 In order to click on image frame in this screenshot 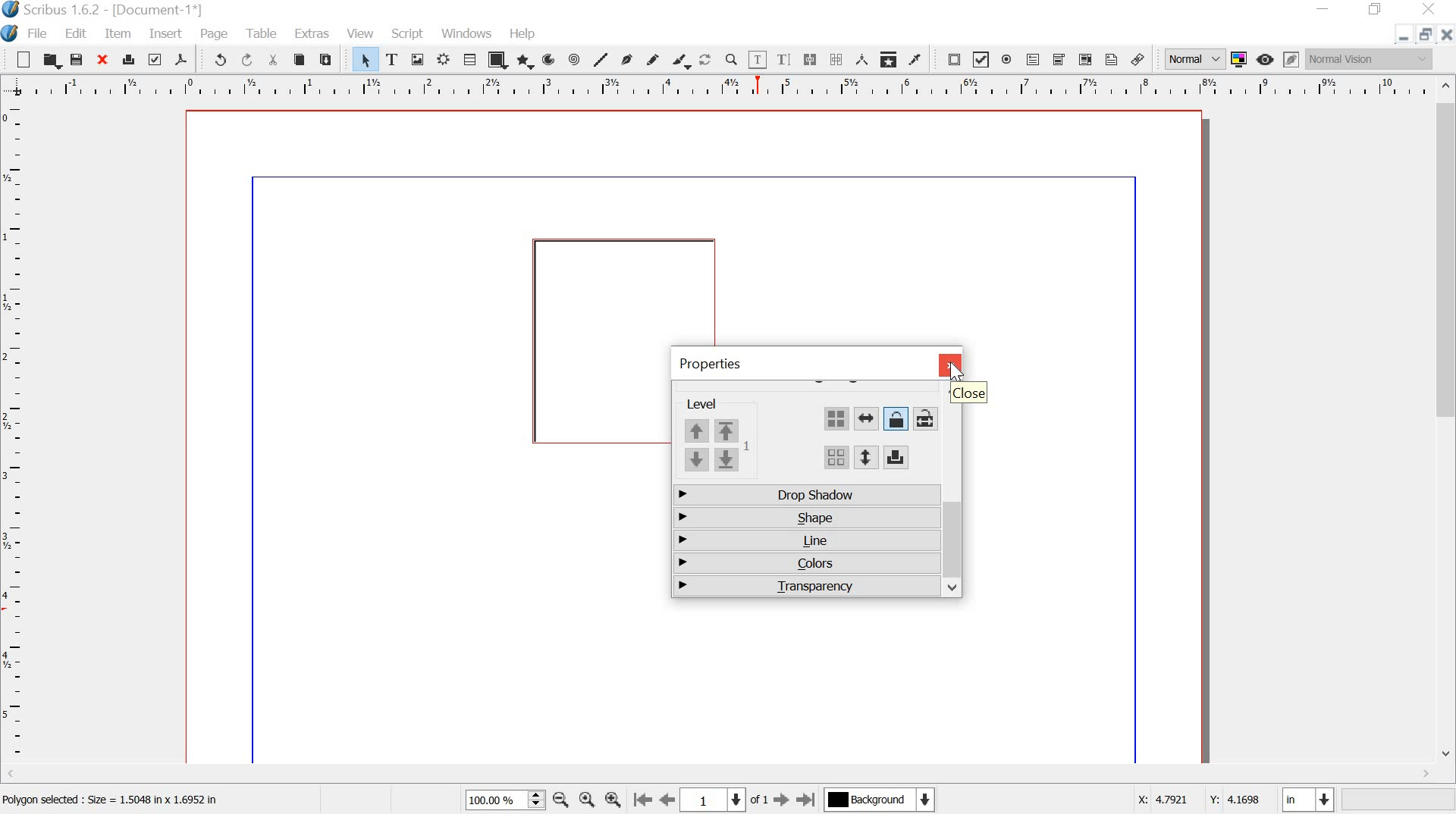, I will do `click(420, 61)`.